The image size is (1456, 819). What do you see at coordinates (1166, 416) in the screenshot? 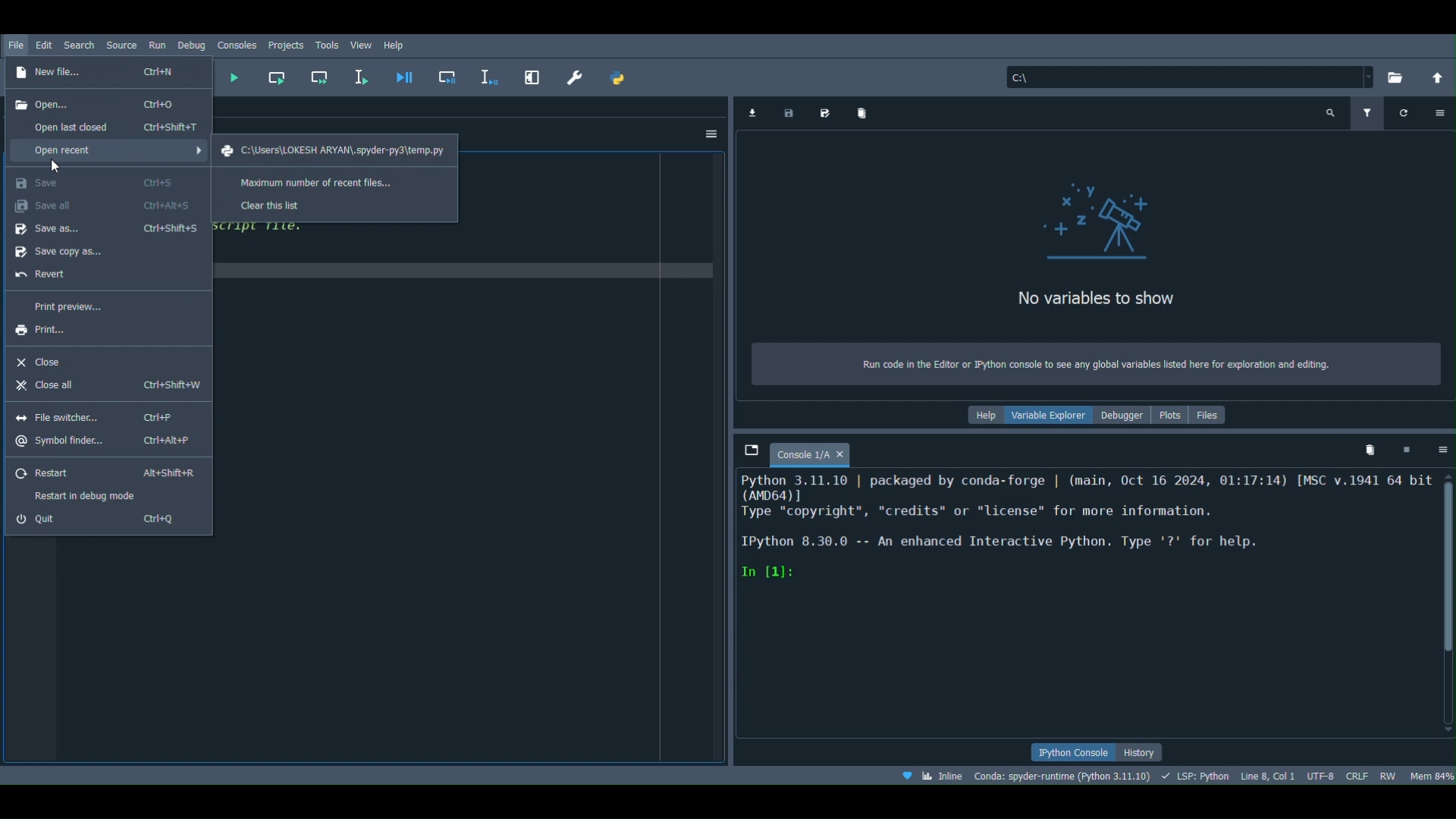
I see `Plots` at bounding box center [1166, 416].